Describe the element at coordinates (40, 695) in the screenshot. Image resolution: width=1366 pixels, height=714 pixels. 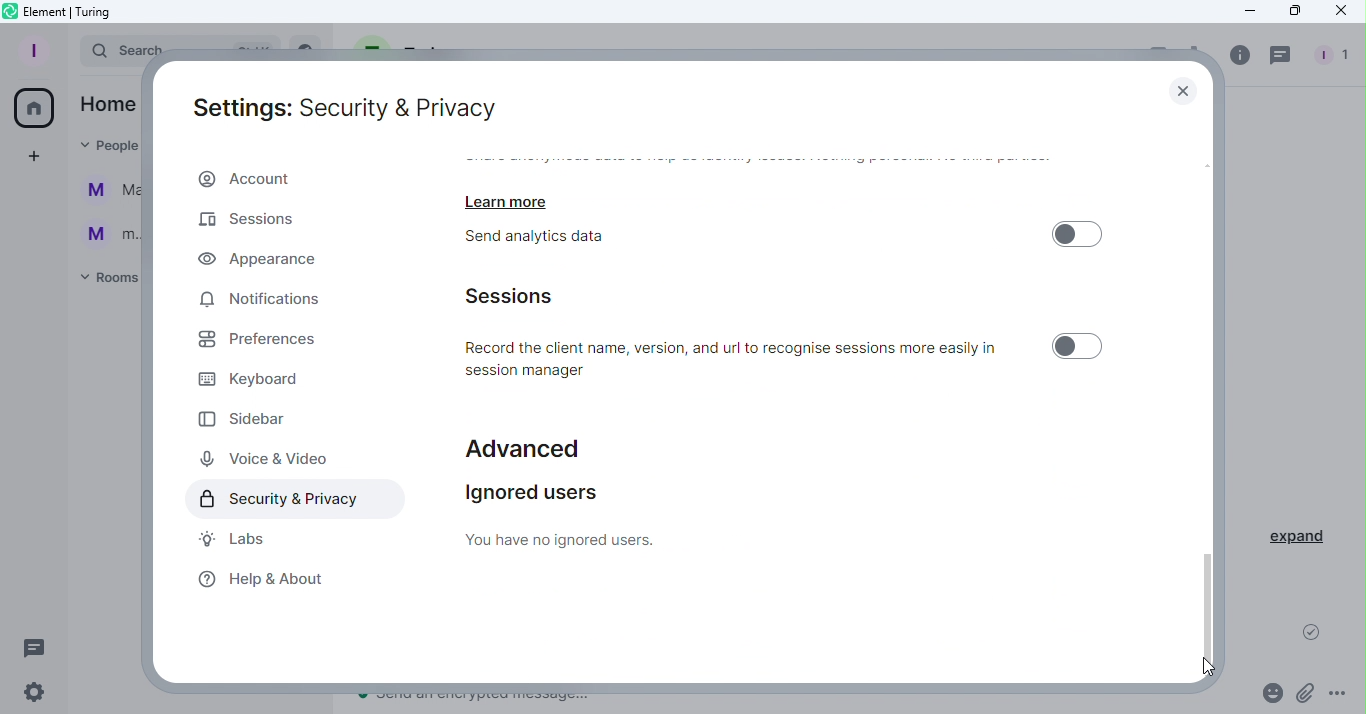
I see `Settings` at that location.